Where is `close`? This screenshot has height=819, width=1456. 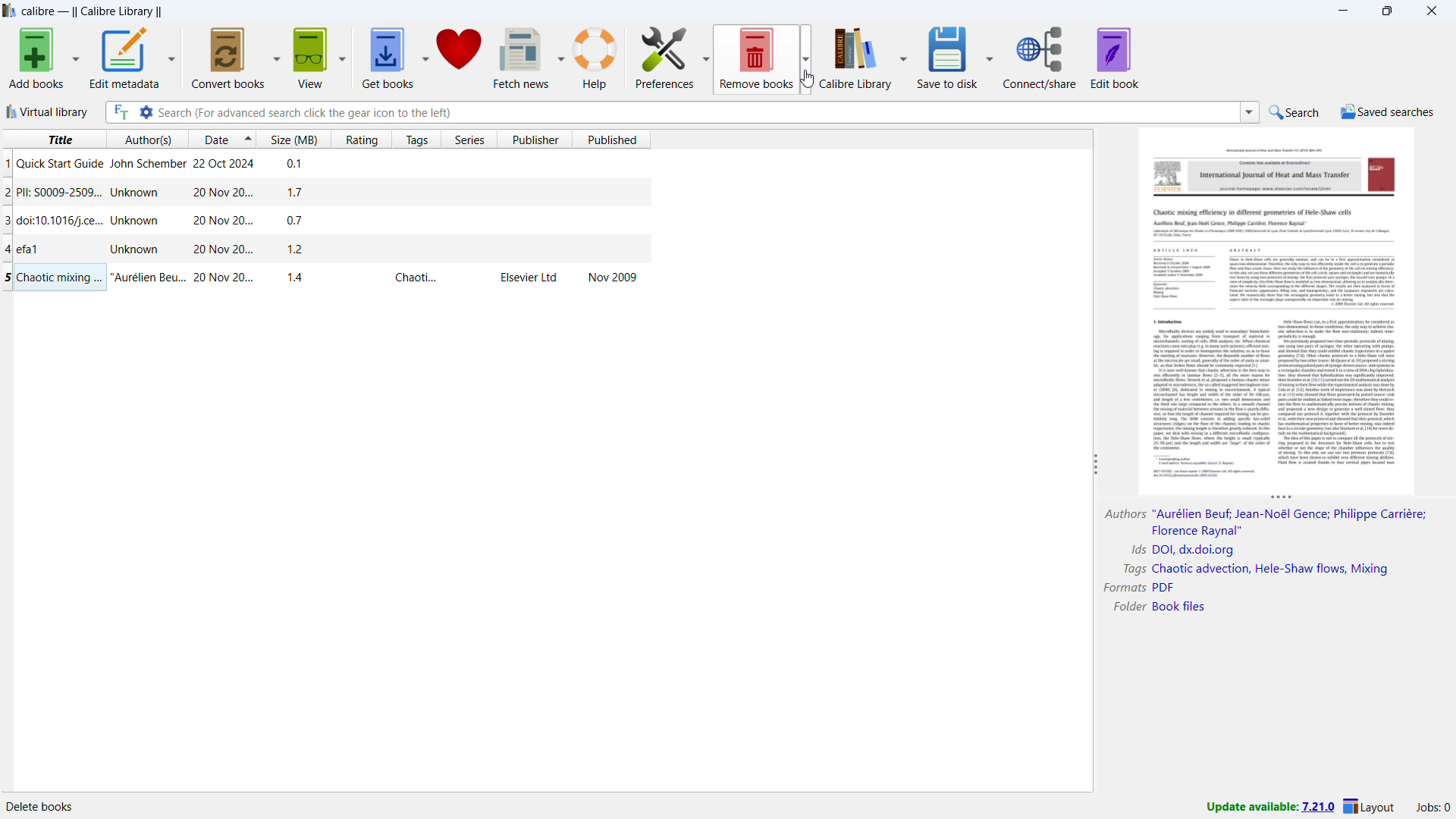
close is located at coordinates (1430, 11).